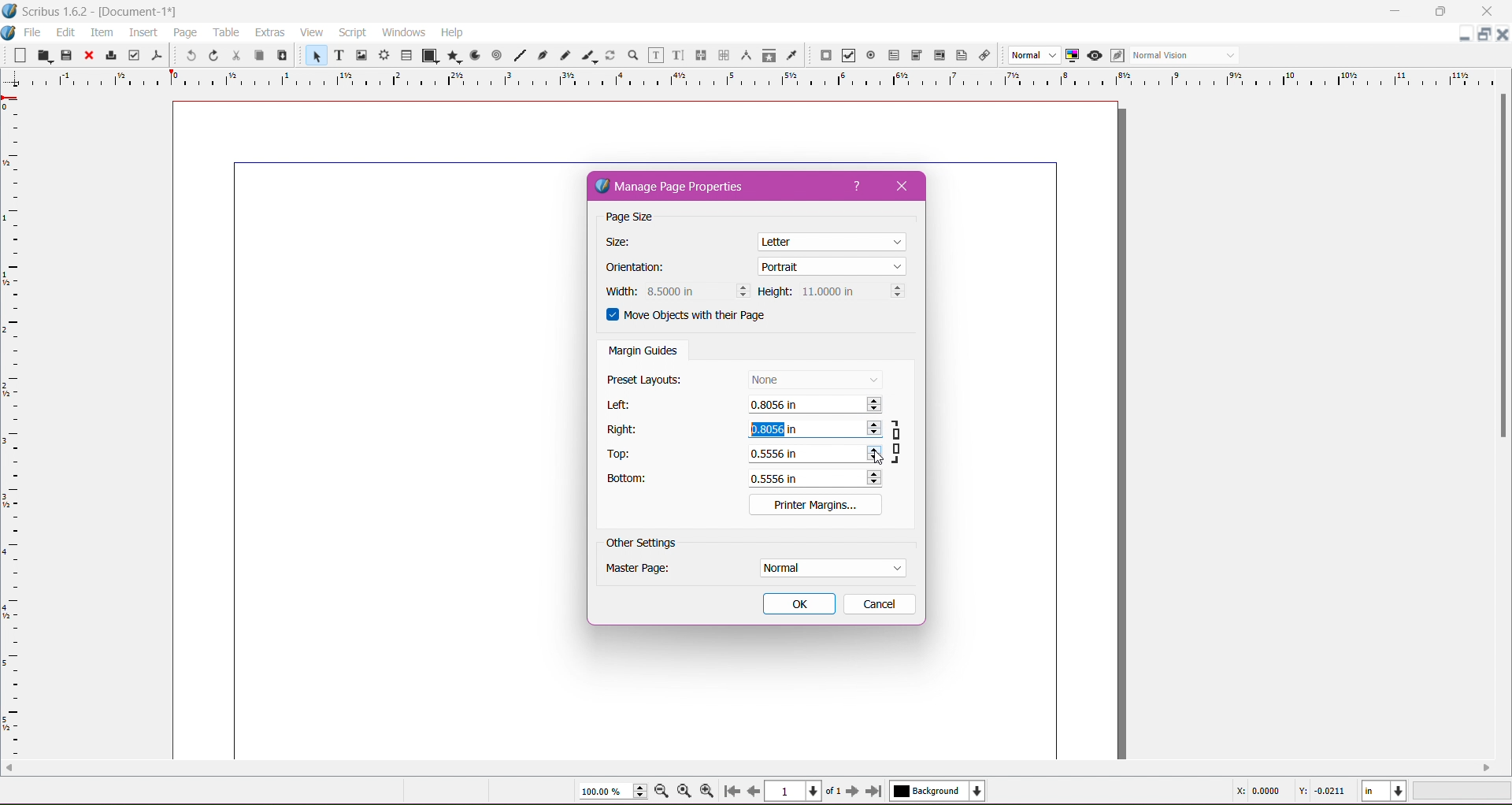 The width and height of the screenshot is (1512, 805). What do you see at coordinates (878, 603) in the screenshot?
I see `Cancel` at bounding box center [878, 603].